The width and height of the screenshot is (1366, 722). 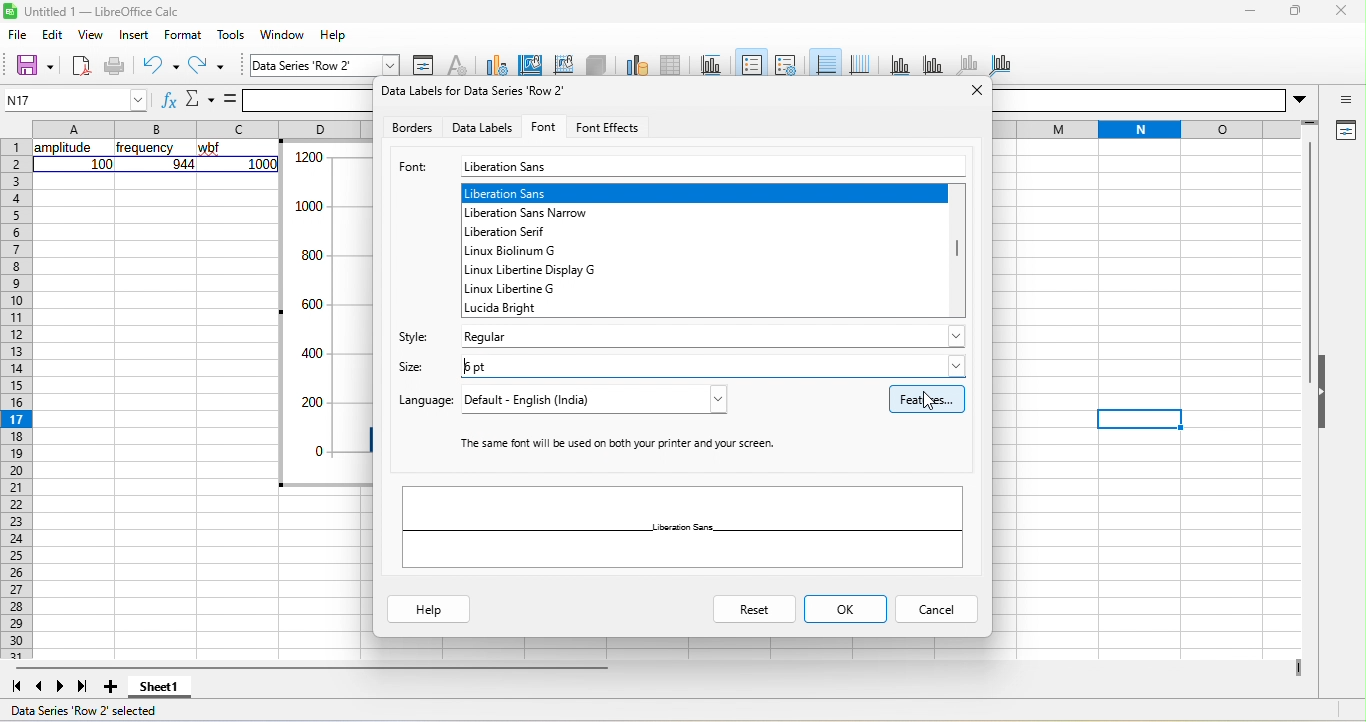 What do you see at coordinates (511, 288) in the screenshot?
I see `linux libertine g` at bounding box center [511, 288].